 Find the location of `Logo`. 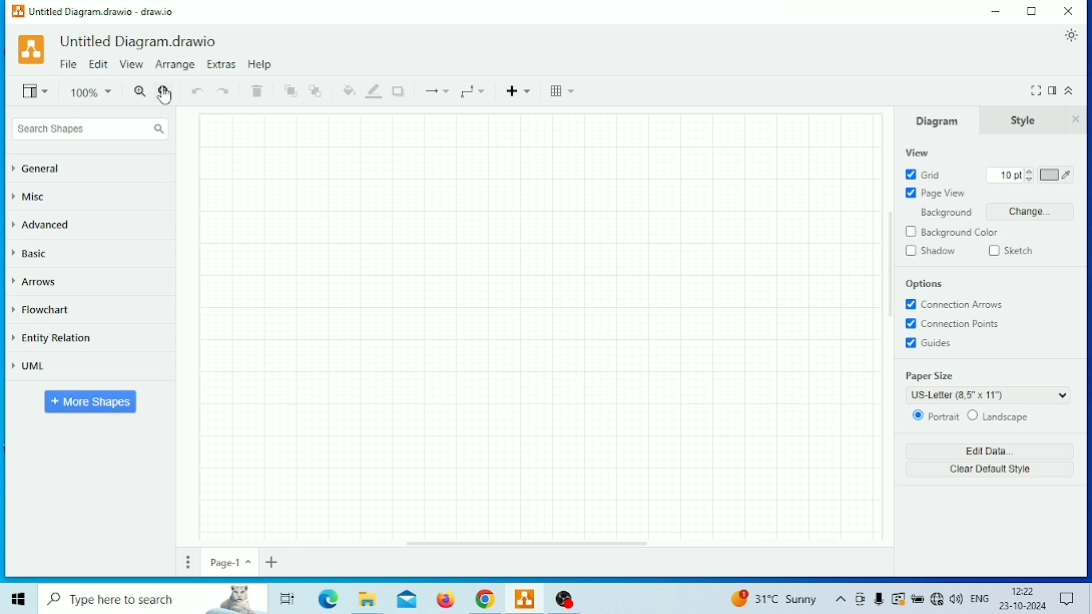

Logo is located at coordinates (31, 50).